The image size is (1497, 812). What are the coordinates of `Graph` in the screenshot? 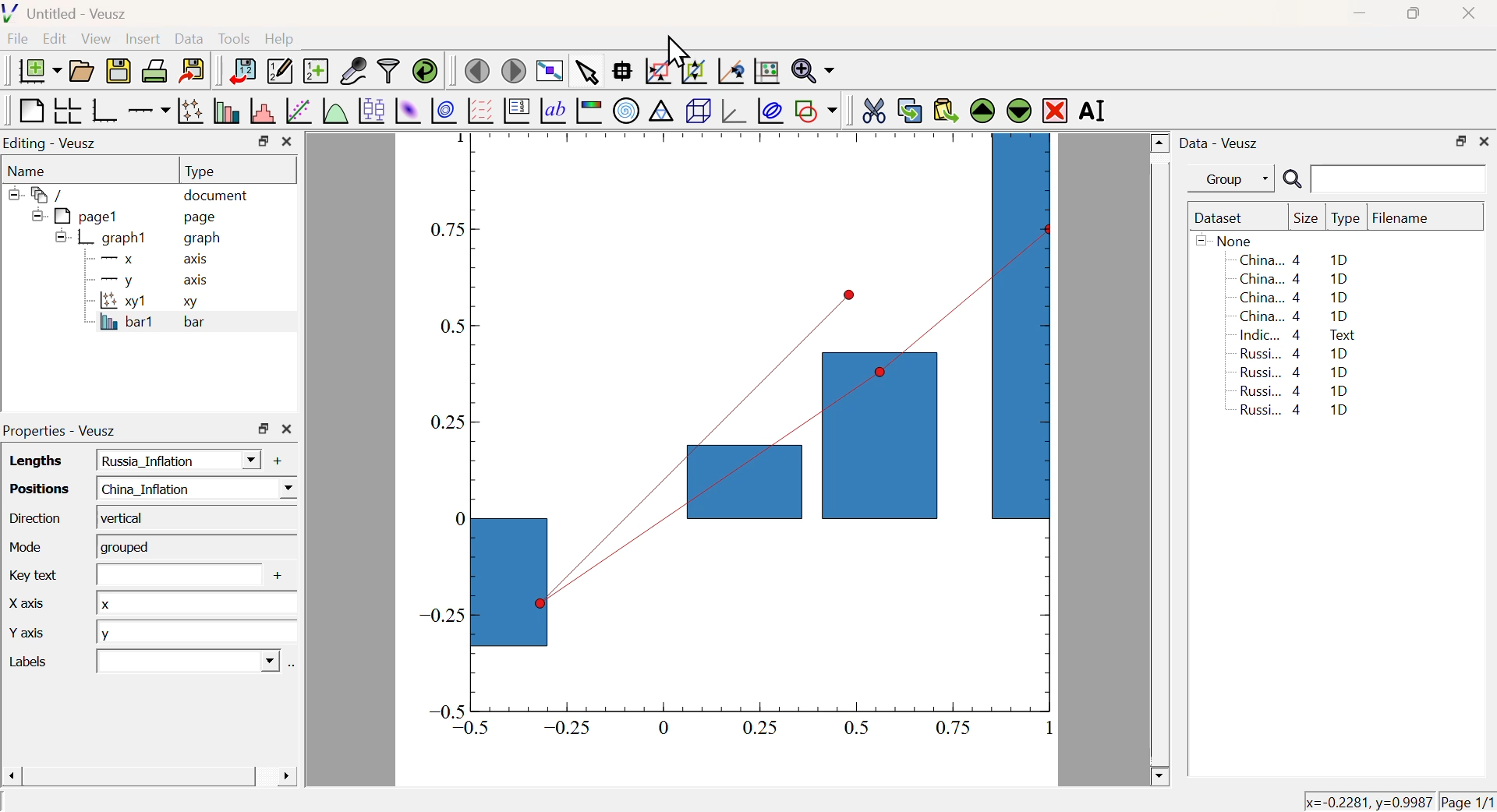 It's located at (737, 441).